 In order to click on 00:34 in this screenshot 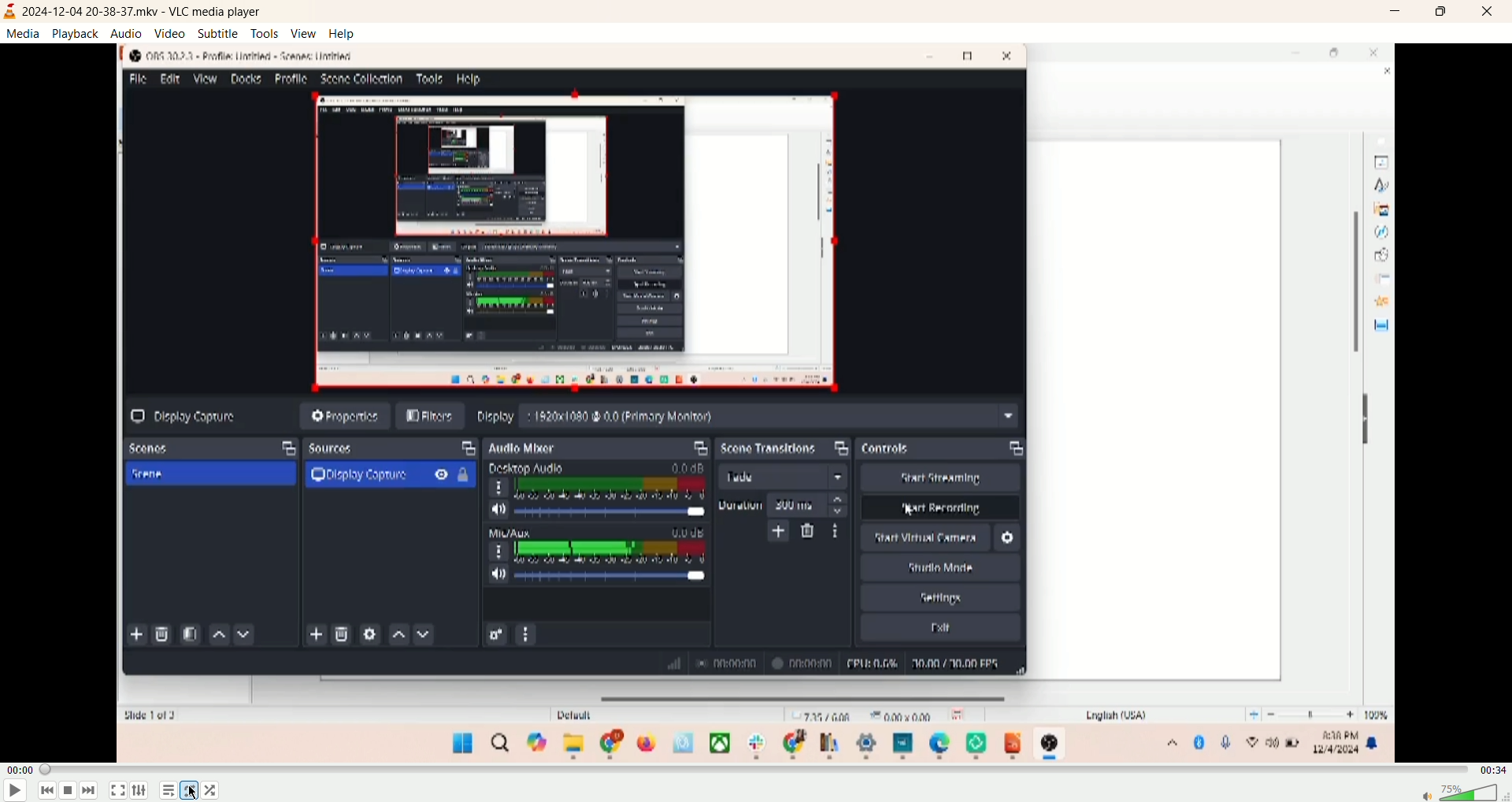, I will do `click(1493, 774)`.